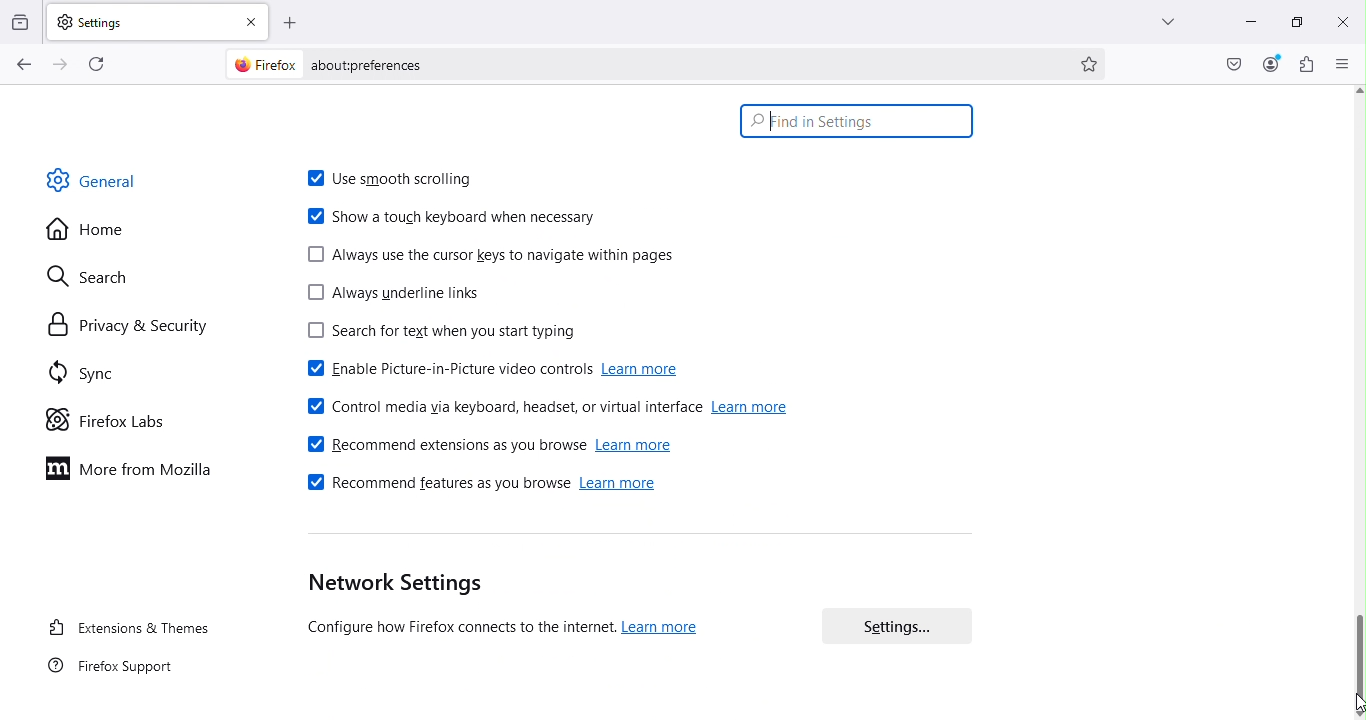  What do you see at coordinates (525, 606) in the screenshot?
I see `Network settings` at bounding box center [525, 606].